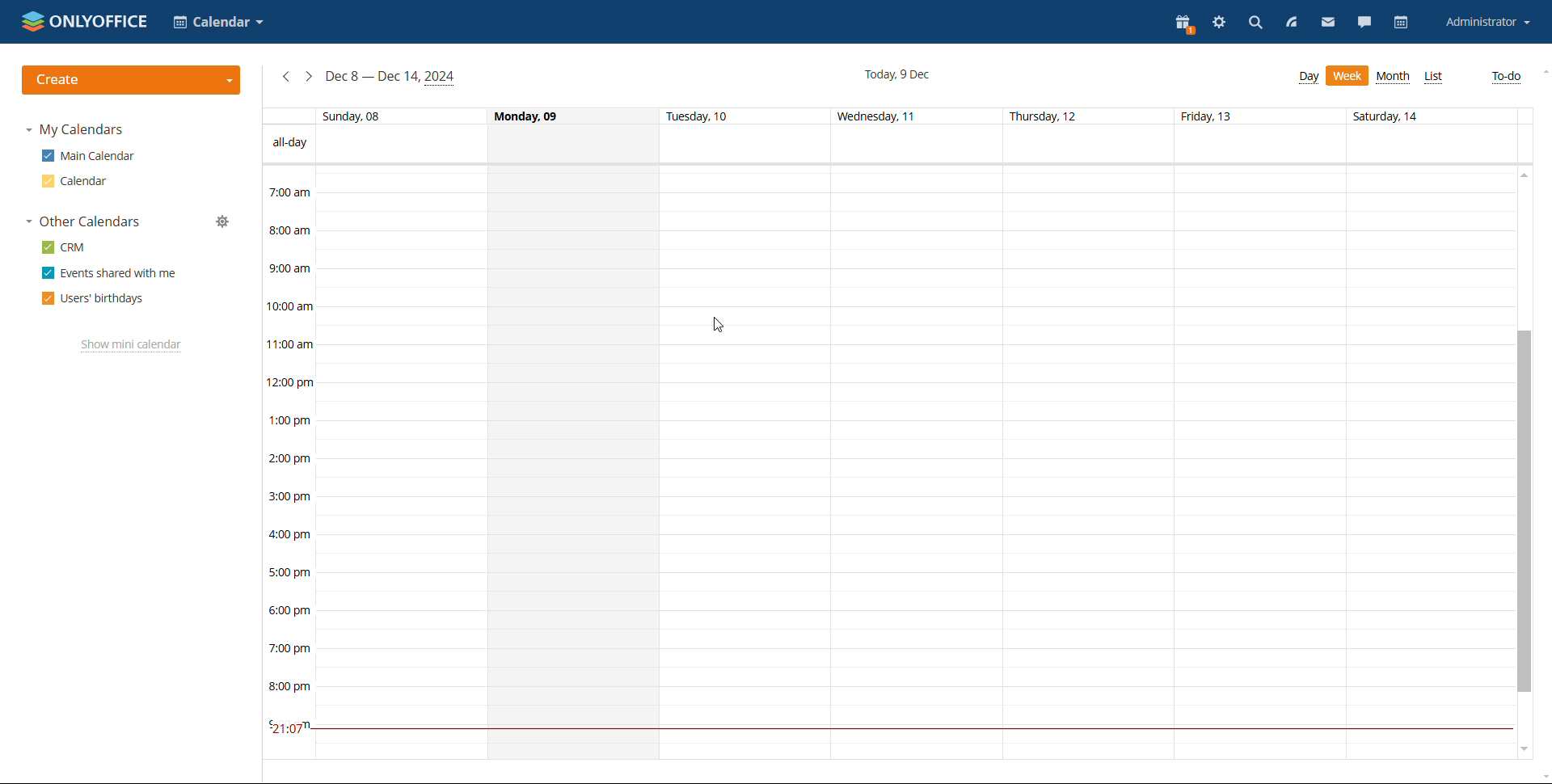 The image size is (1552, 784). I want to click on days, so click(888, 116).